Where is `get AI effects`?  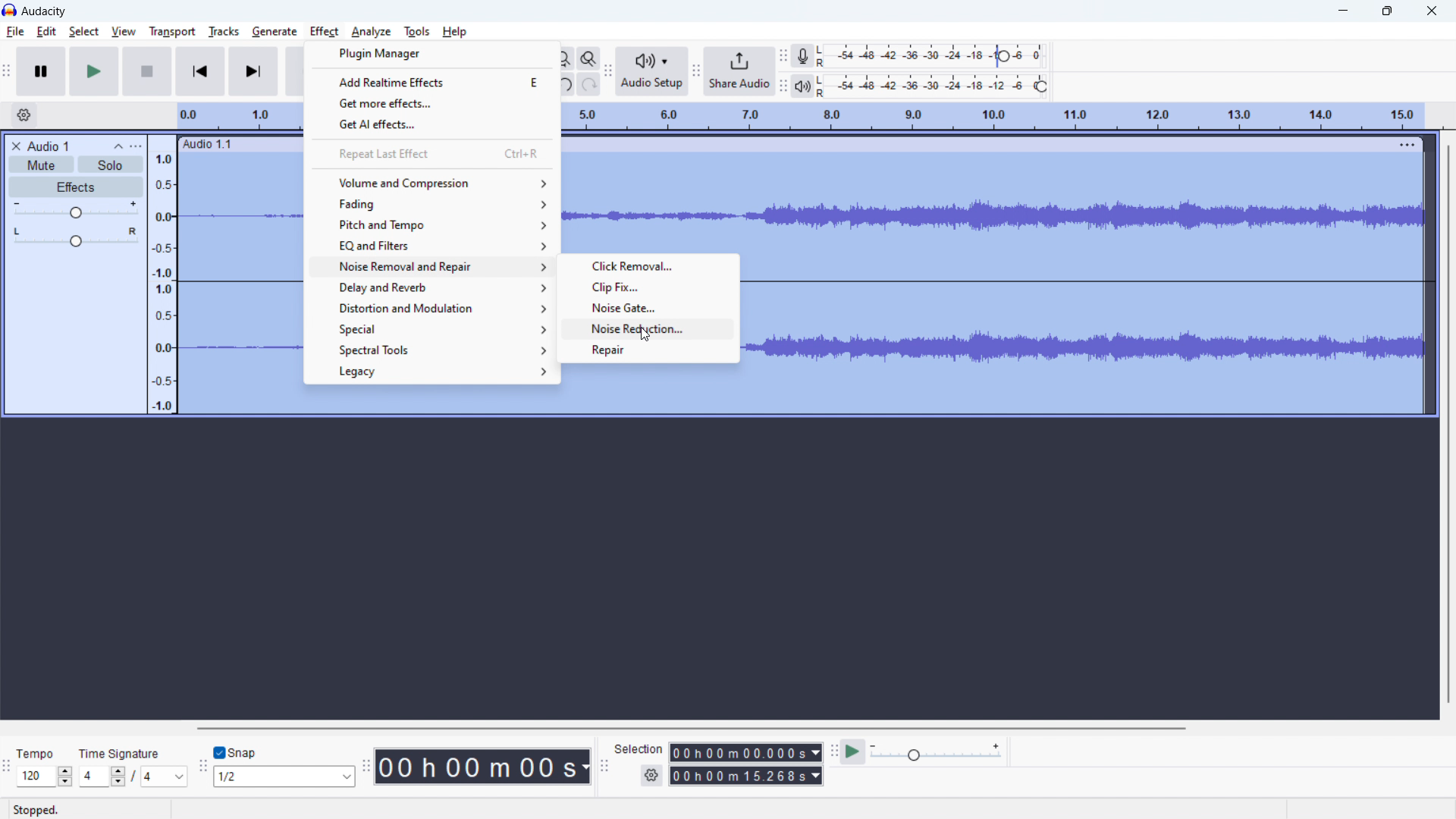 get AI effects is located at coordinates (431, 124).